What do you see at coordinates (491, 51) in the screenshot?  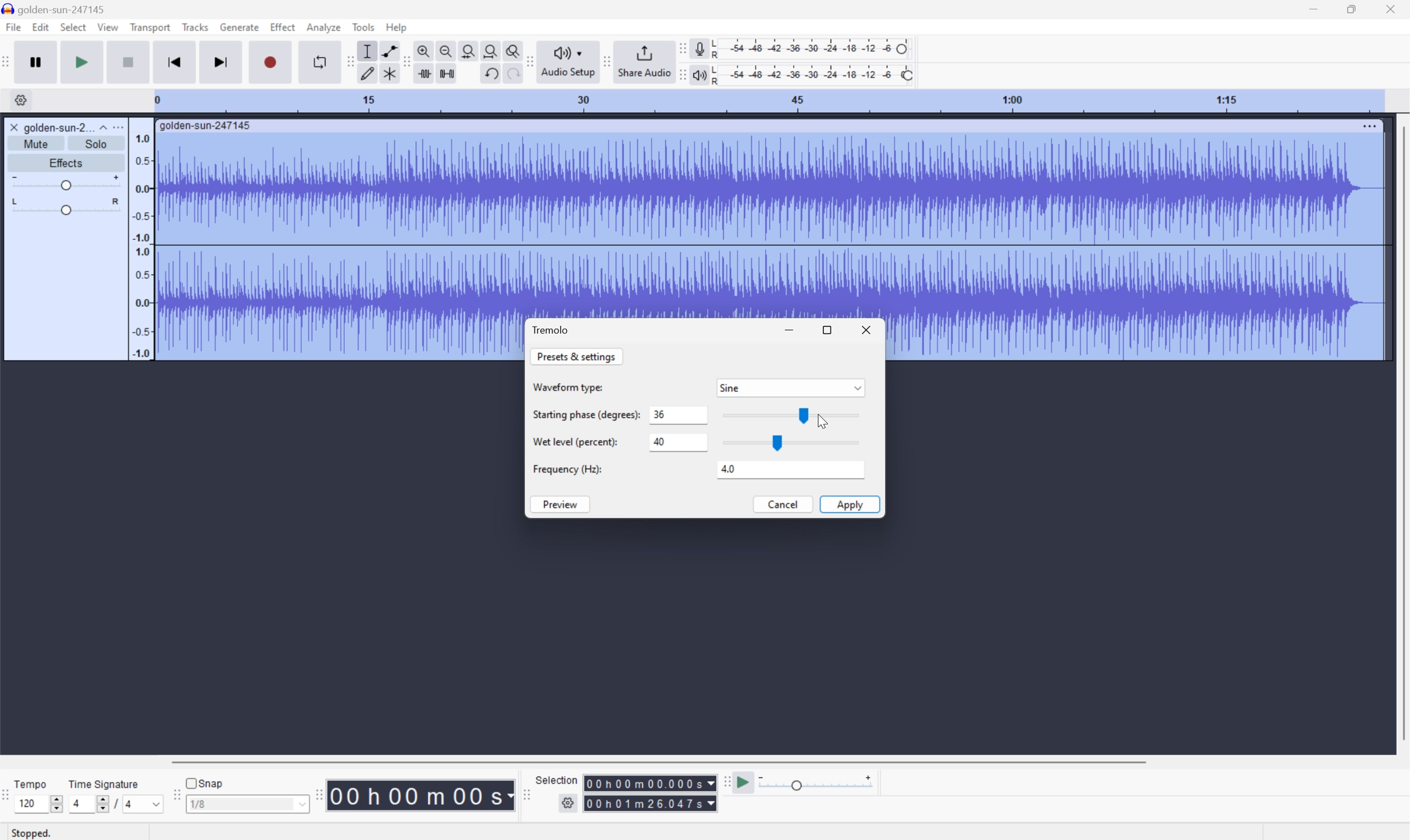 I see `Fit project to width` at bounding box center [491, 51].